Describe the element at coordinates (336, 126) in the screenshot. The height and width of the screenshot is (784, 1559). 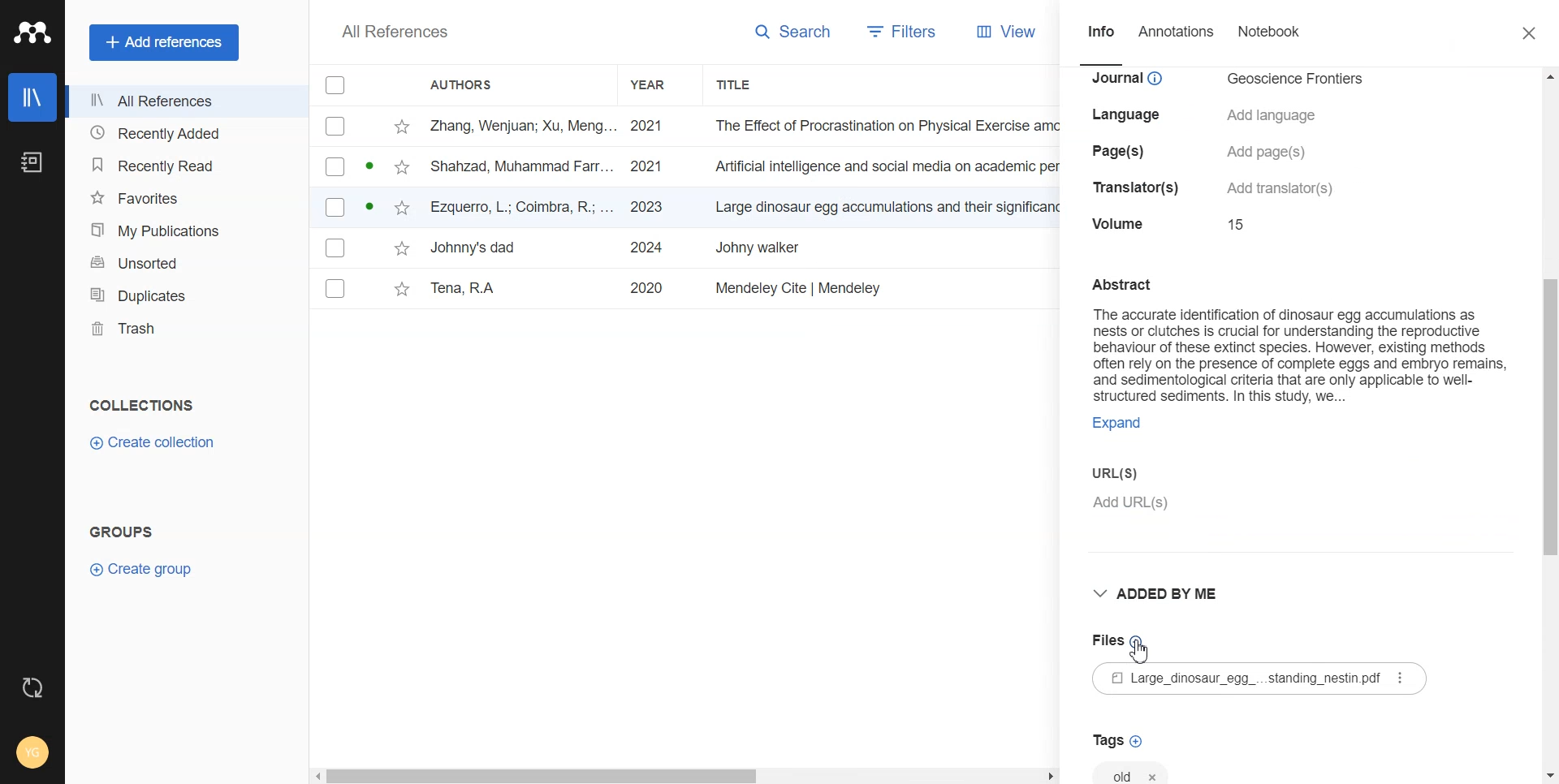
I see `Checkbox` at that location.